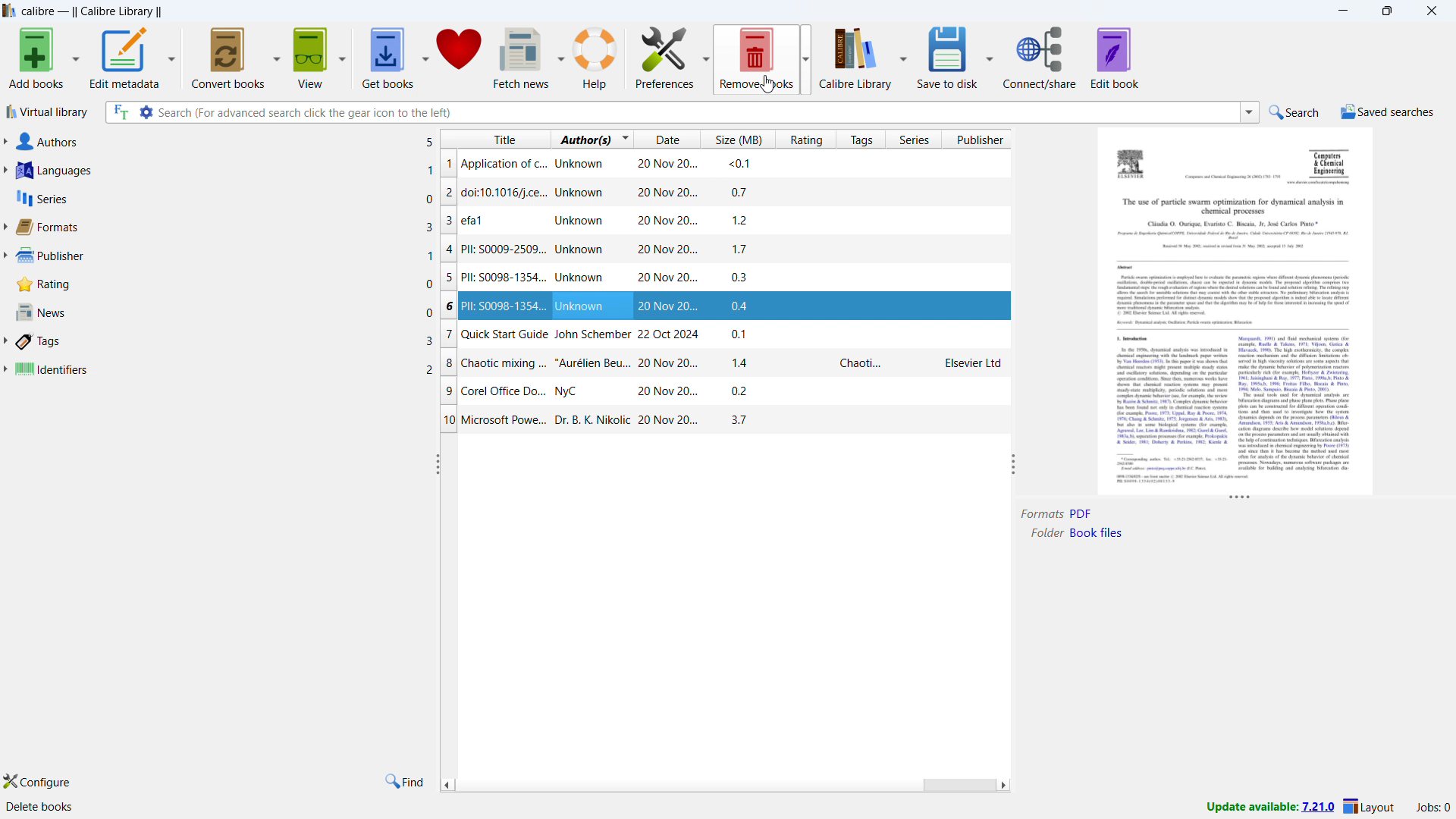 The height and width of the screenshot is (819, 1456). What do you see at coordinates (221, 141) in the screenshot?
I see `authors` at bounding box center [221, 141].